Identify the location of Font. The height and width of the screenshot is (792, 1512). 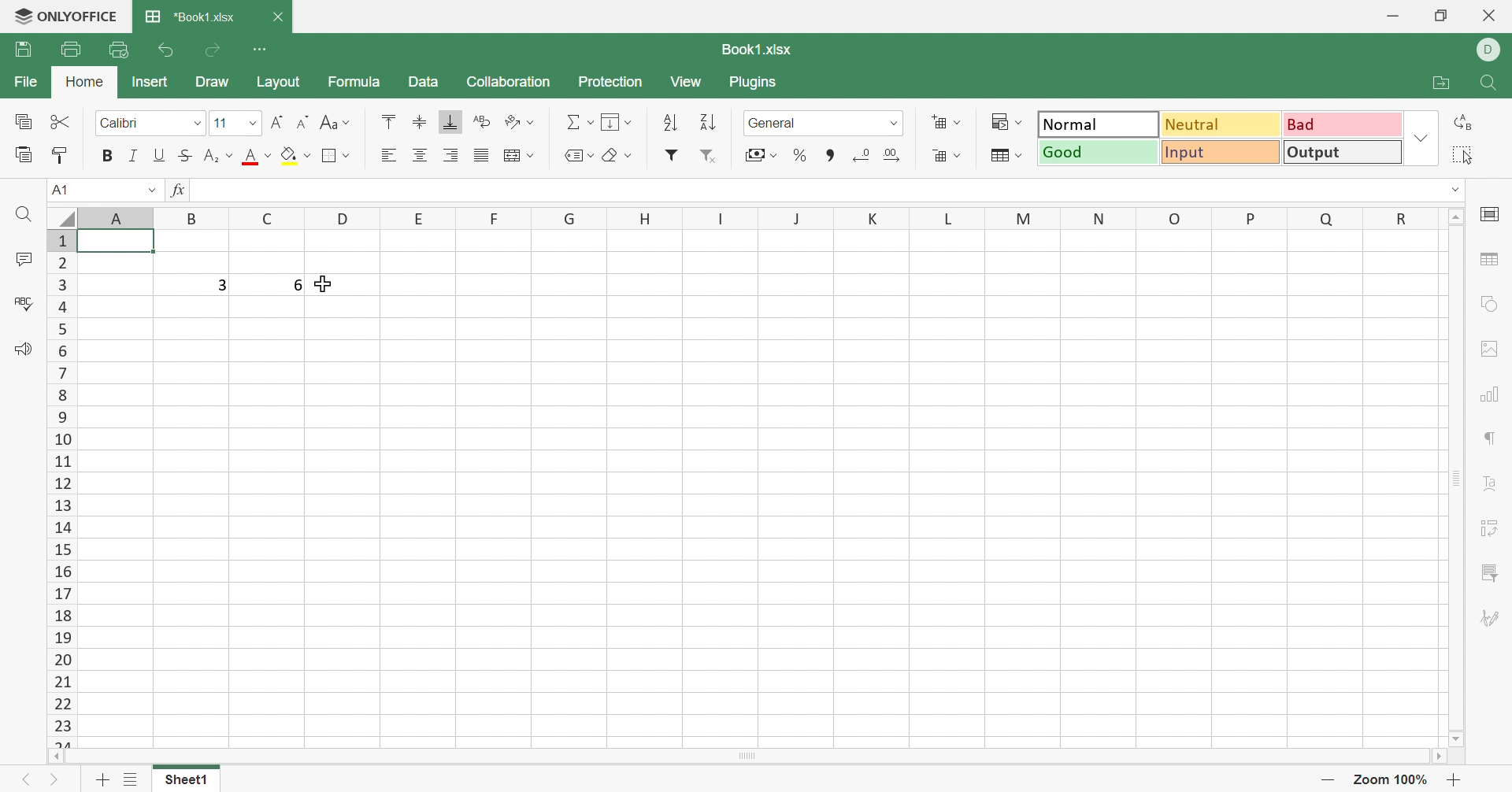
(150, 122).